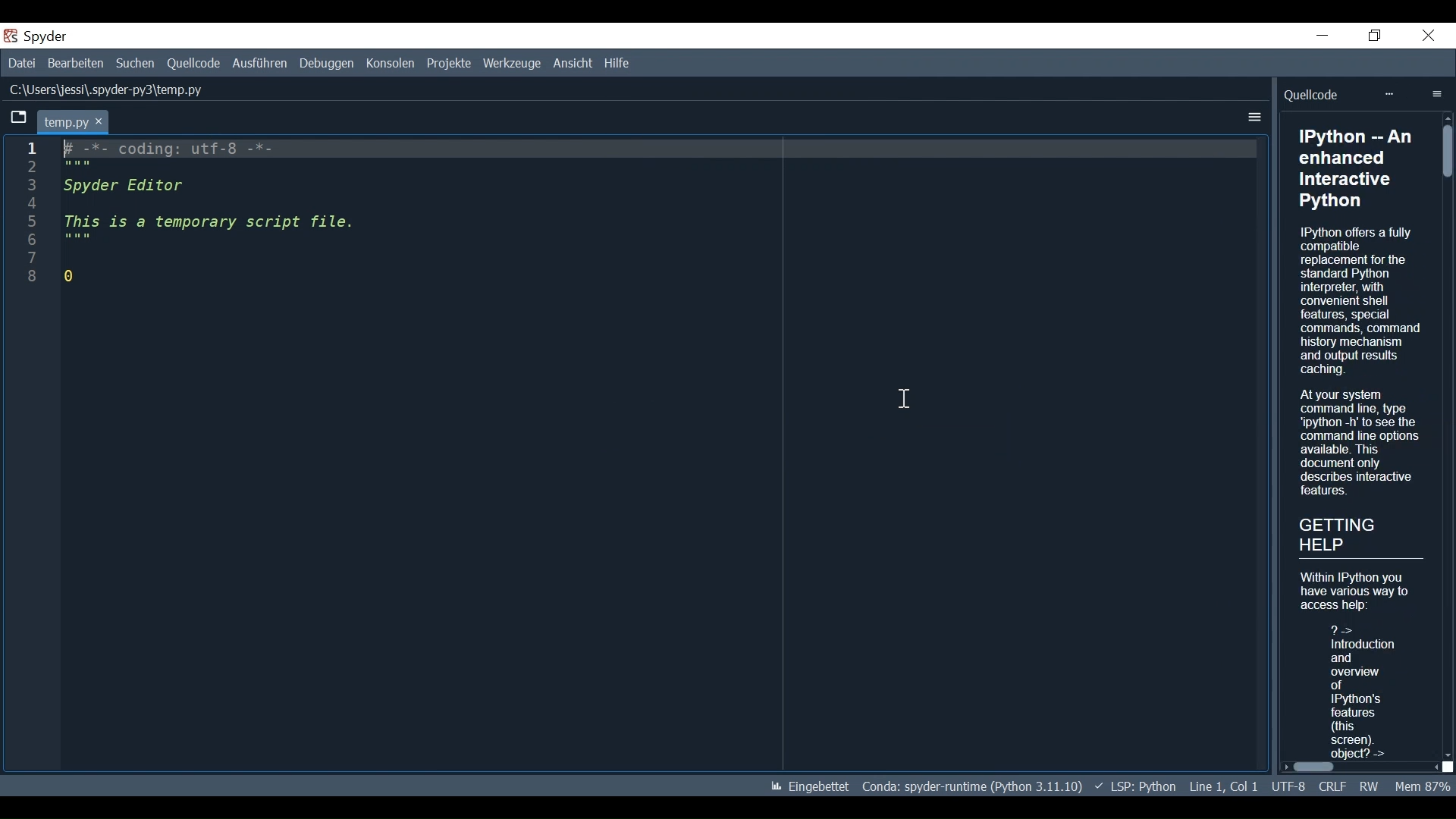 Image resolution: width=1456 pixels, height=819 pixels. What do you see at coordinates (1255, 117) in the screenshot?
I see `More Options` at bounding box center [1255, 117].